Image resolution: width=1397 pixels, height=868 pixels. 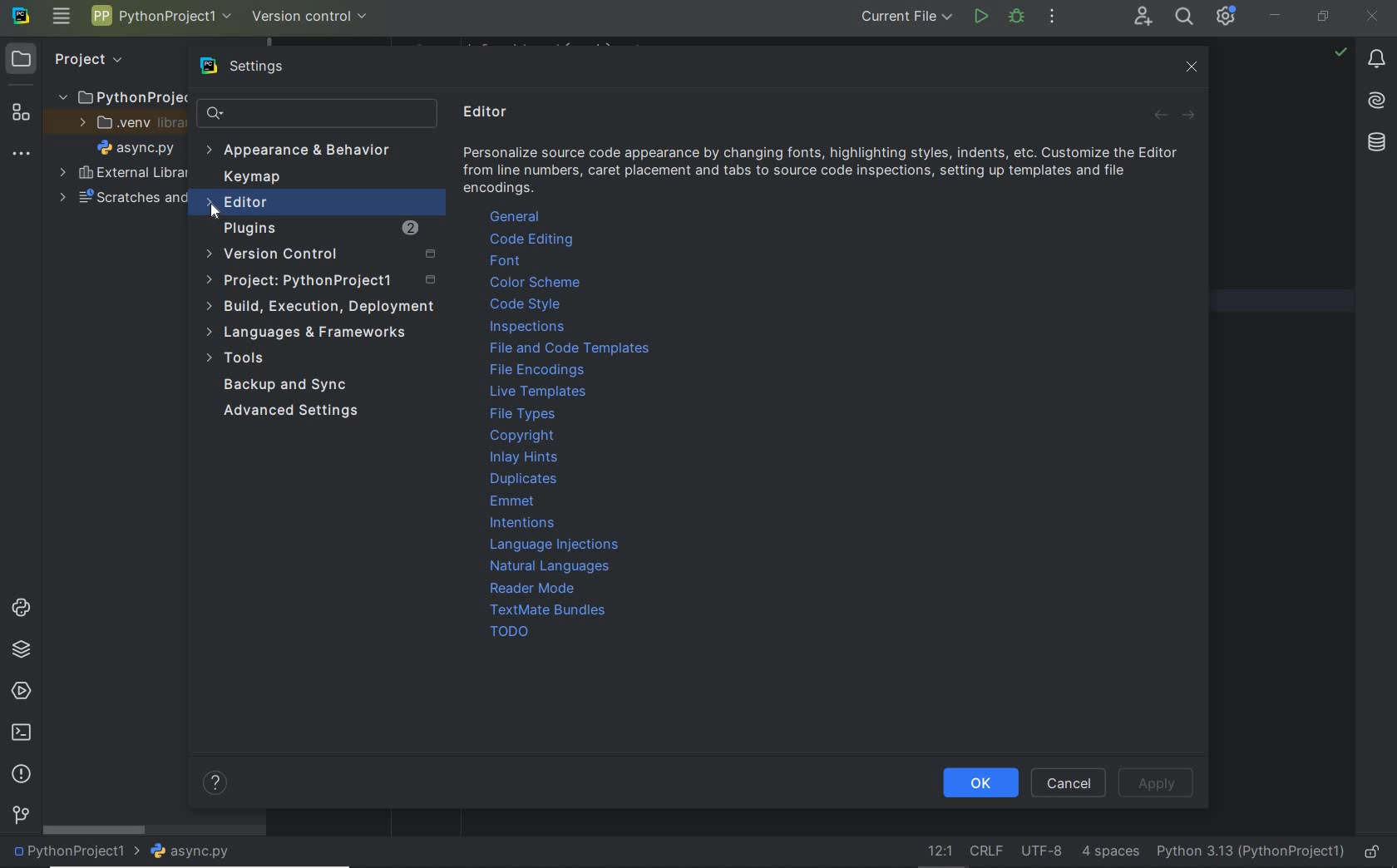 What do you see at coordinates (22, 155) in the screenshot?
I see `more tool windows` at bounding box center [22, 155].